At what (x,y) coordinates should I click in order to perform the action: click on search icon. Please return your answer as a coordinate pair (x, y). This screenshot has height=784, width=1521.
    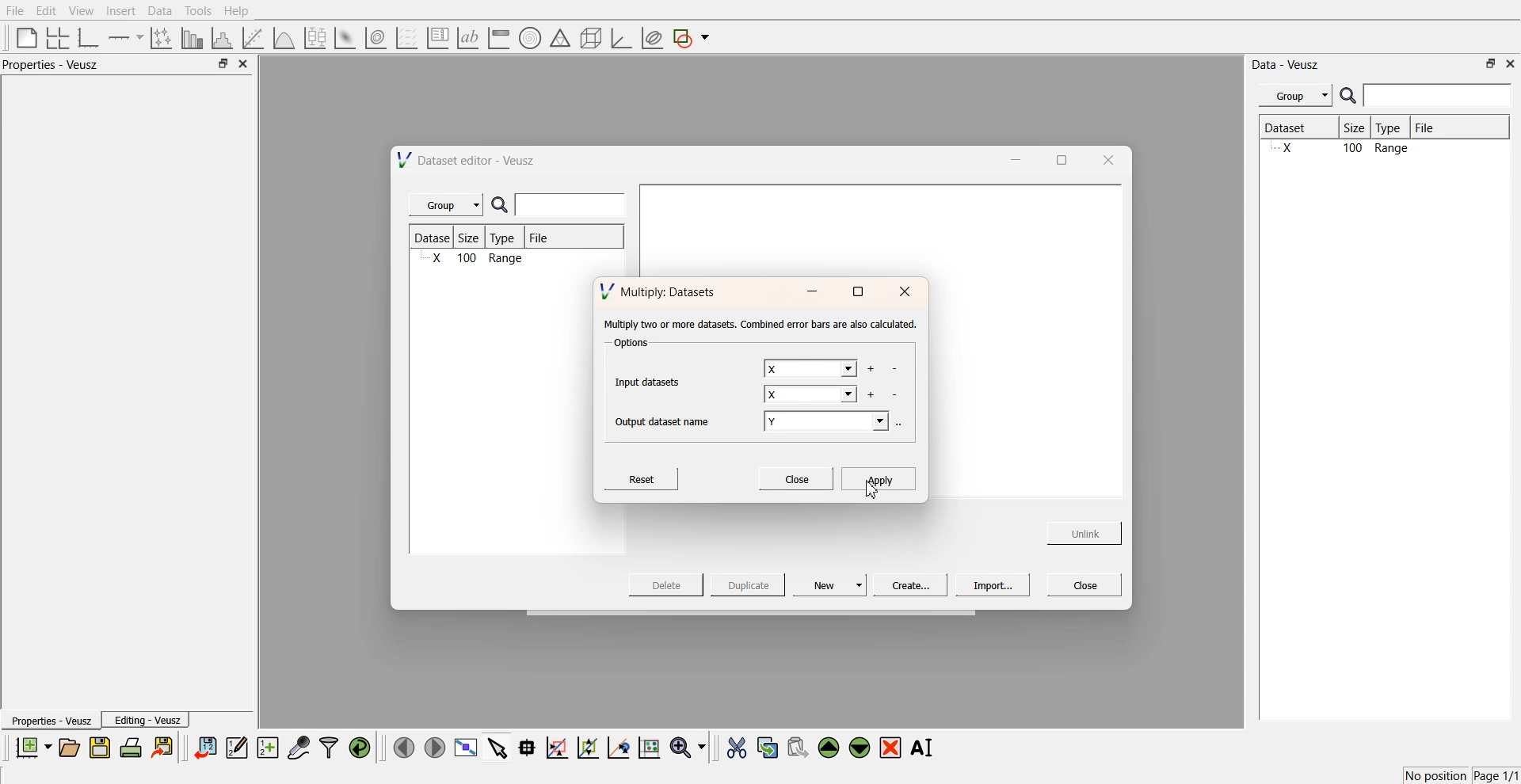
    Looking at the image, I should click on (503, 206).